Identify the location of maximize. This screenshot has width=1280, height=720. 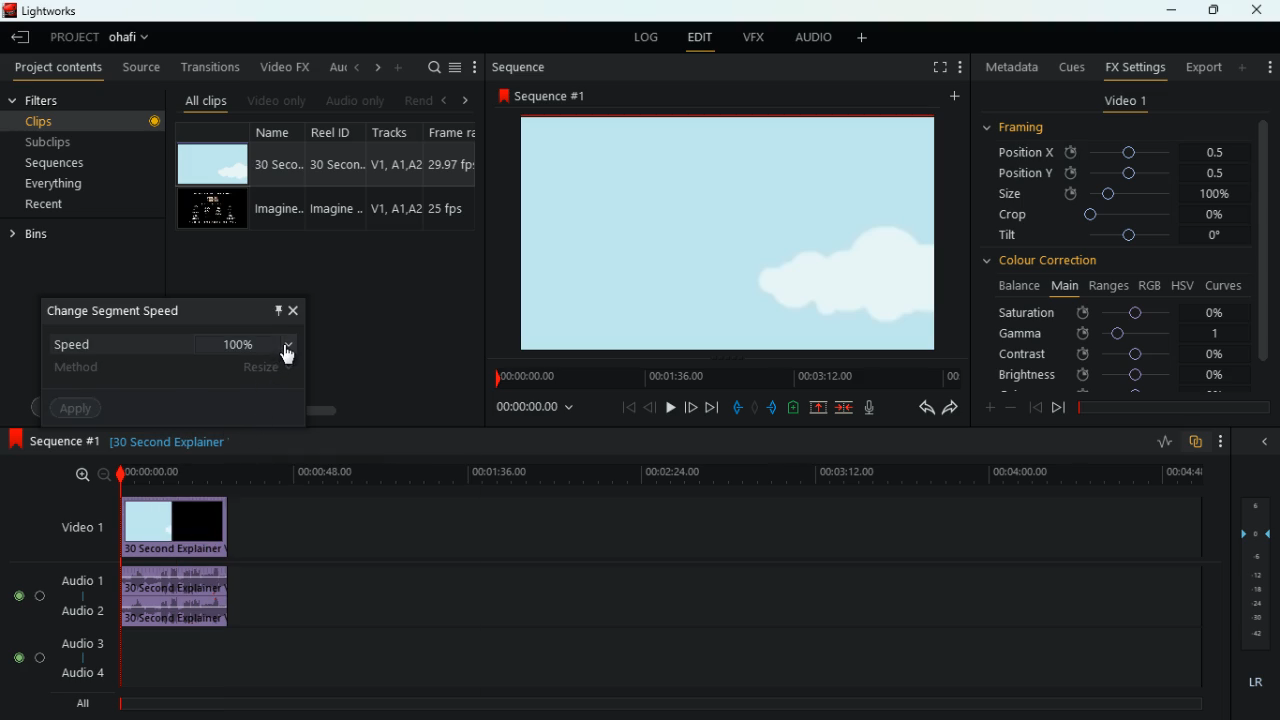
(1210, 11).